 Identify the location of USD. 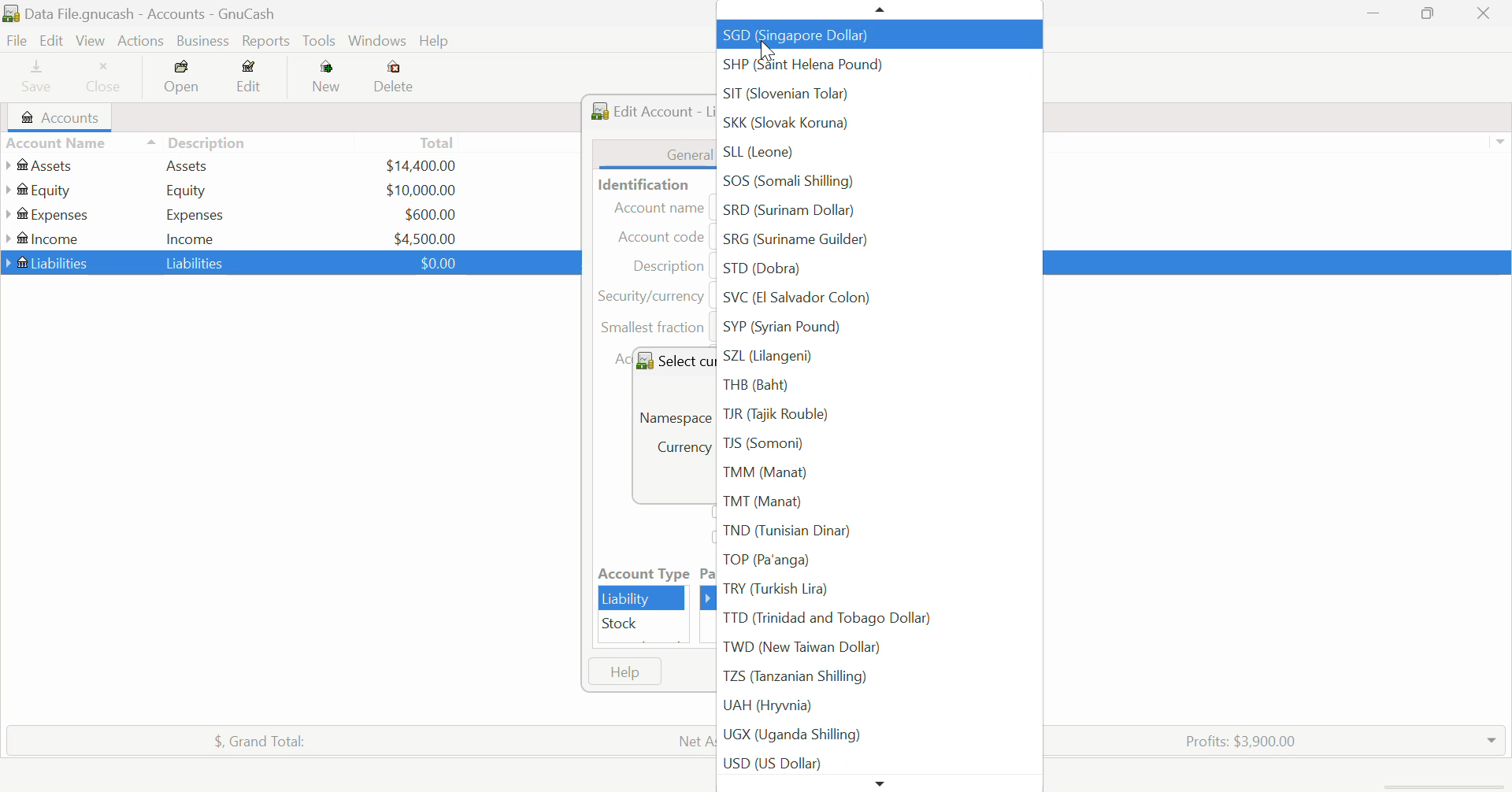
(430, 214).